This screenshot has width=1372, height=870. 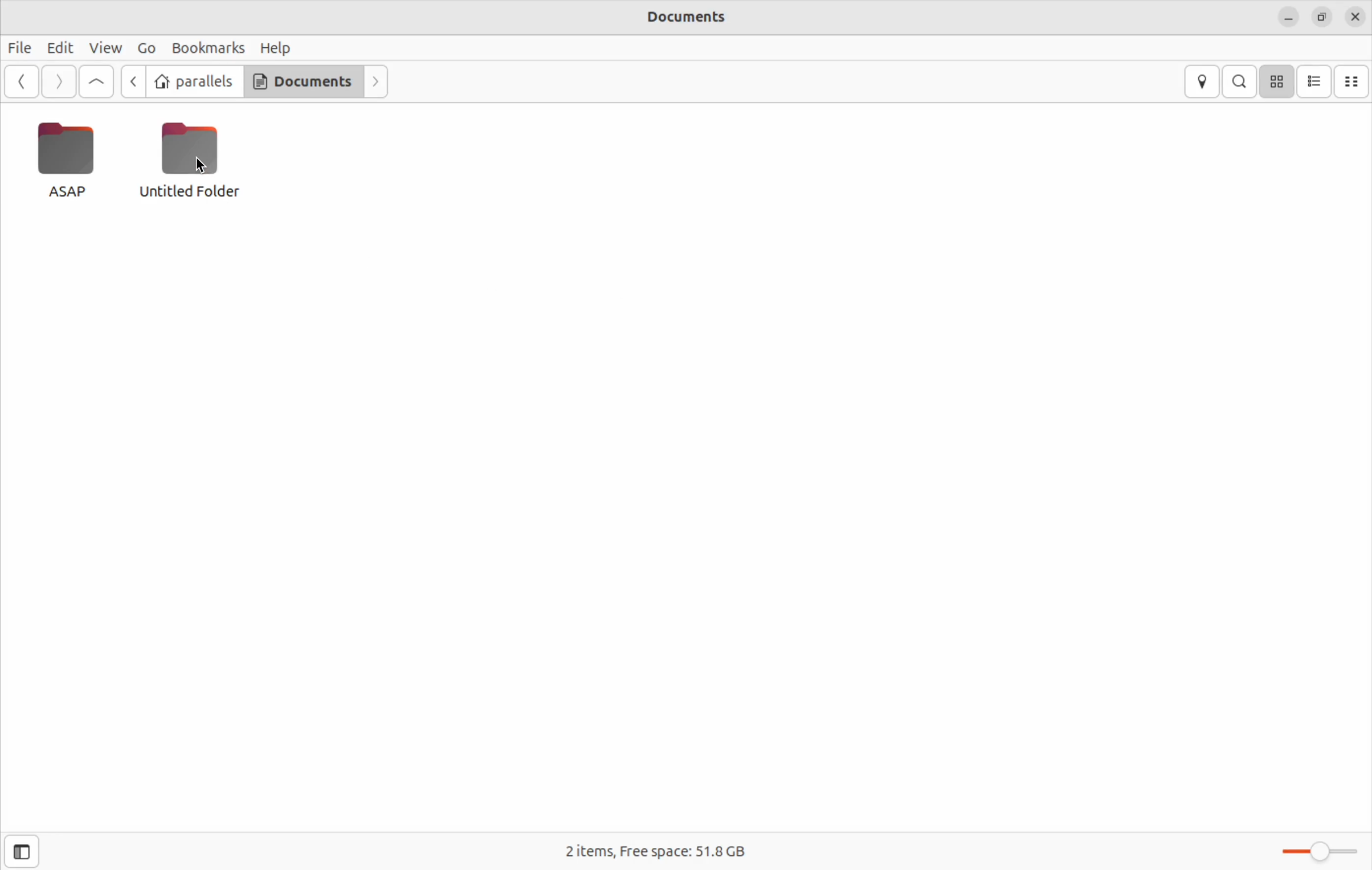 What do you see at coordinates (197, 158) in the screenshot?
I see `untitled folder` at bounding box center [197, 158].